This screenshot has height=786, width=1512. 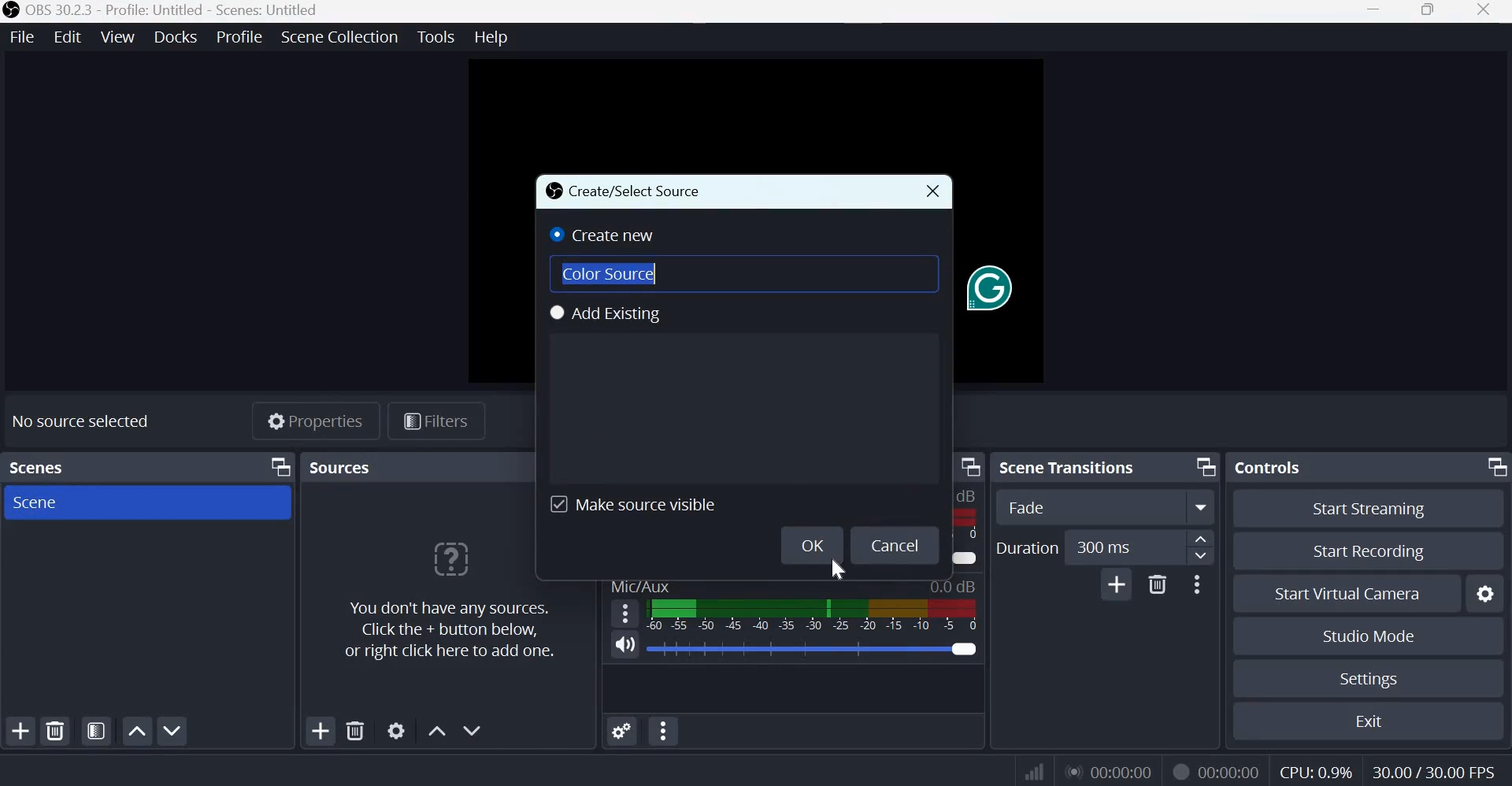 What do you see at coordinates (987, 289) in the screenshot?
I see `grammarly` at bounding box center [987, 289].